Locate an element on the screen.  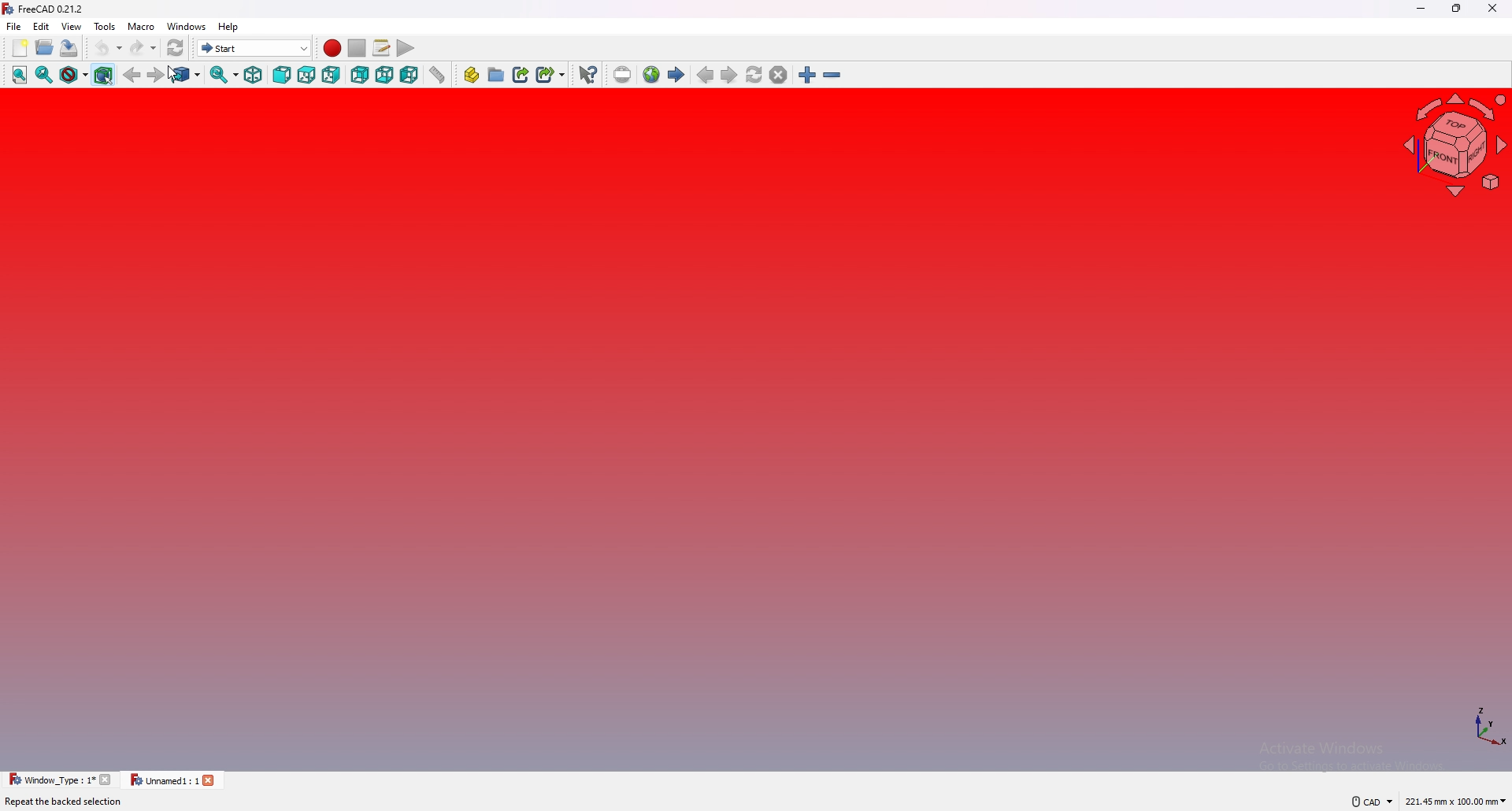
FreeCAD 0.21.2 is located at coordinates (46, 9).